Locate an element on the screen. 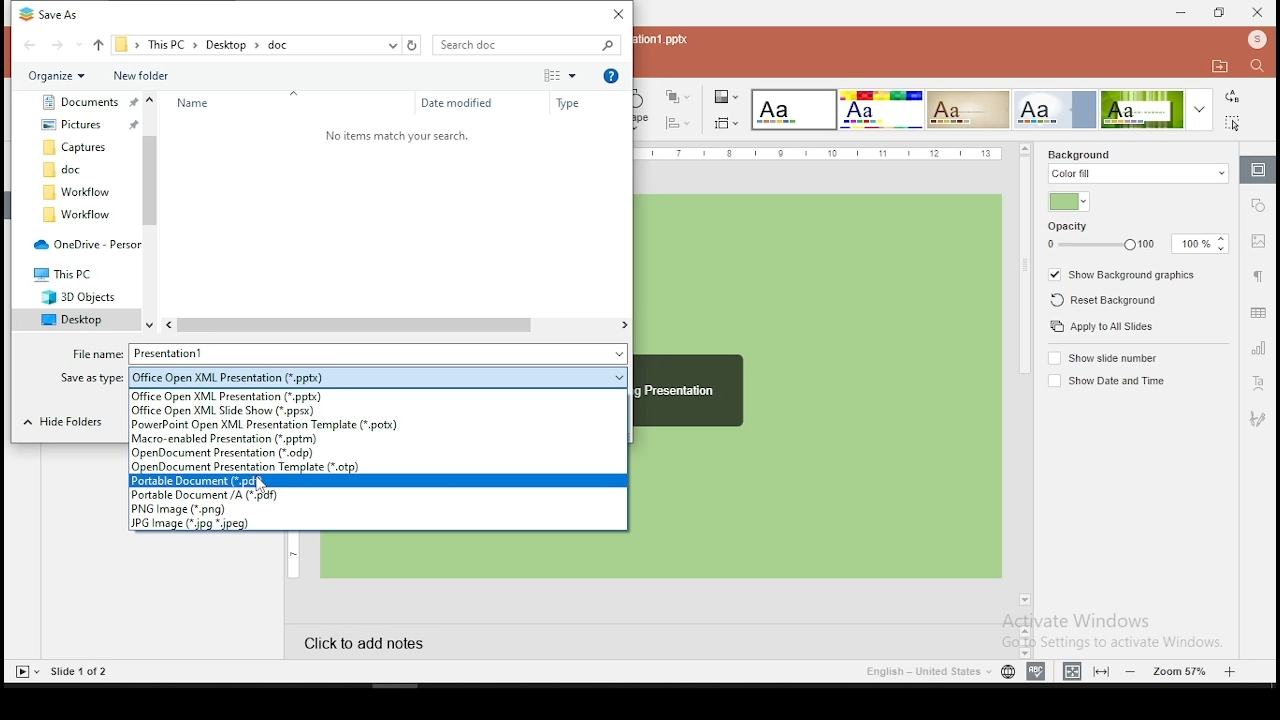 The image size is (1280, 720). Captures is located at coordinates (79, 146).